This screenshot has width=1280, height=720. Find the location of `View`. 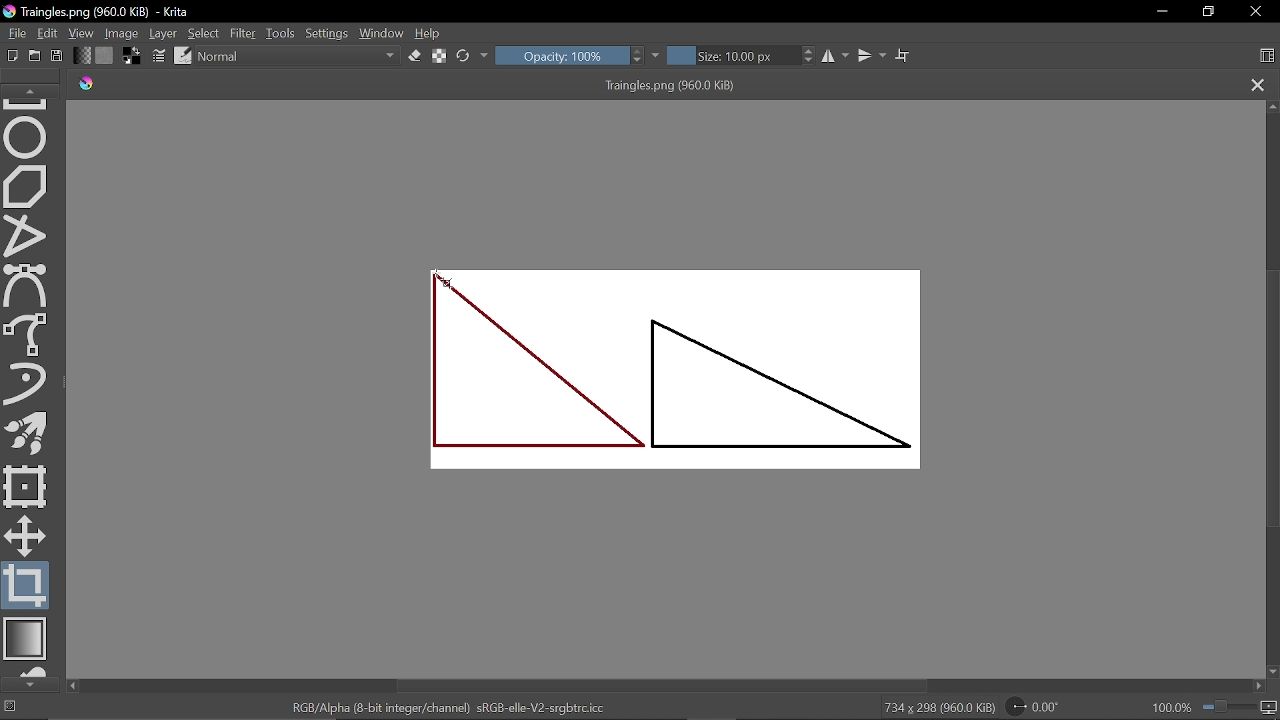

View is located at coordinates (82, 33).